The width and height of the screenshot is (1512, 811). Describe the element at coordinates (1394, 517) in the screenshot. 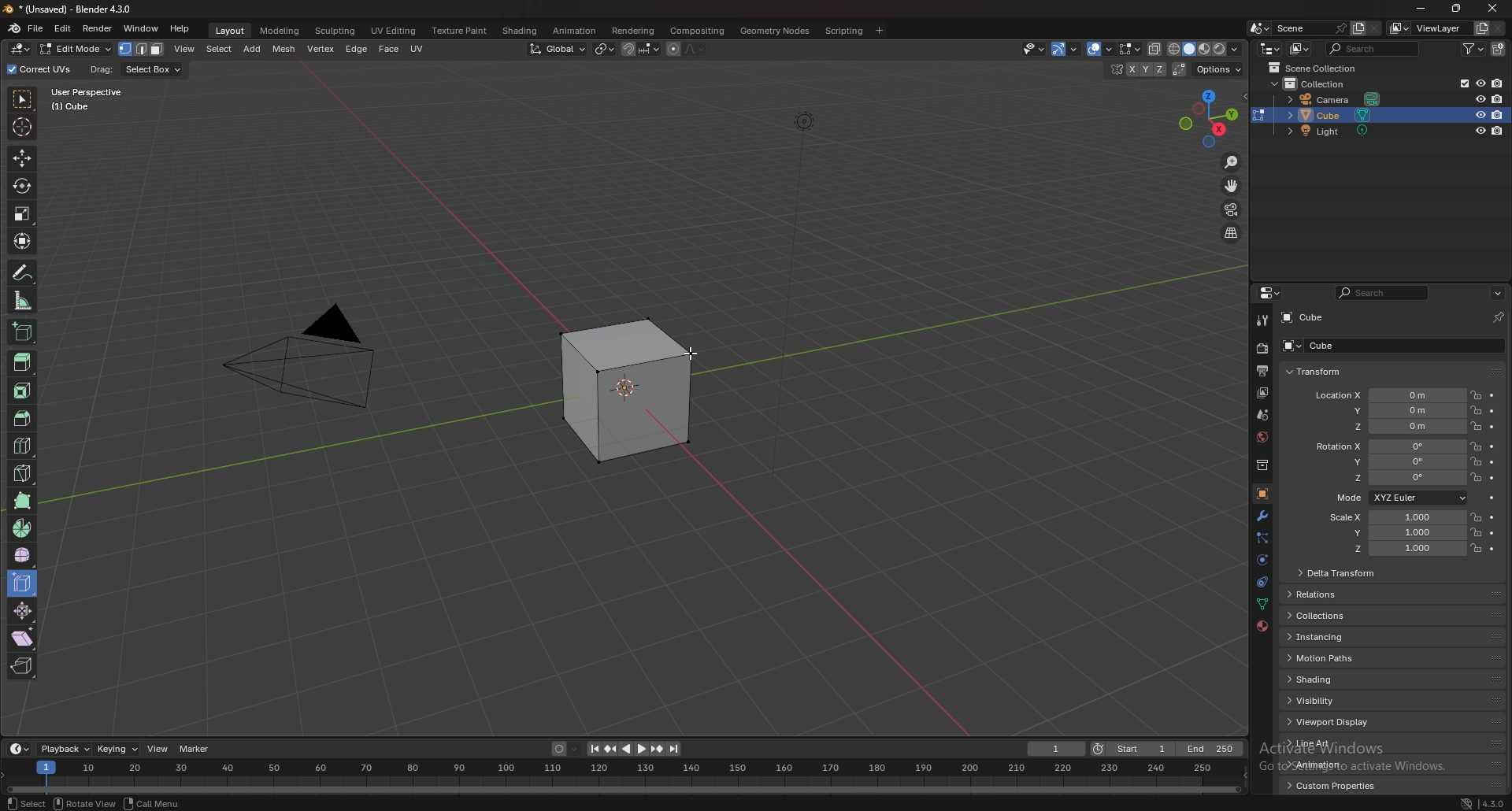

I see `scale x` at that location.